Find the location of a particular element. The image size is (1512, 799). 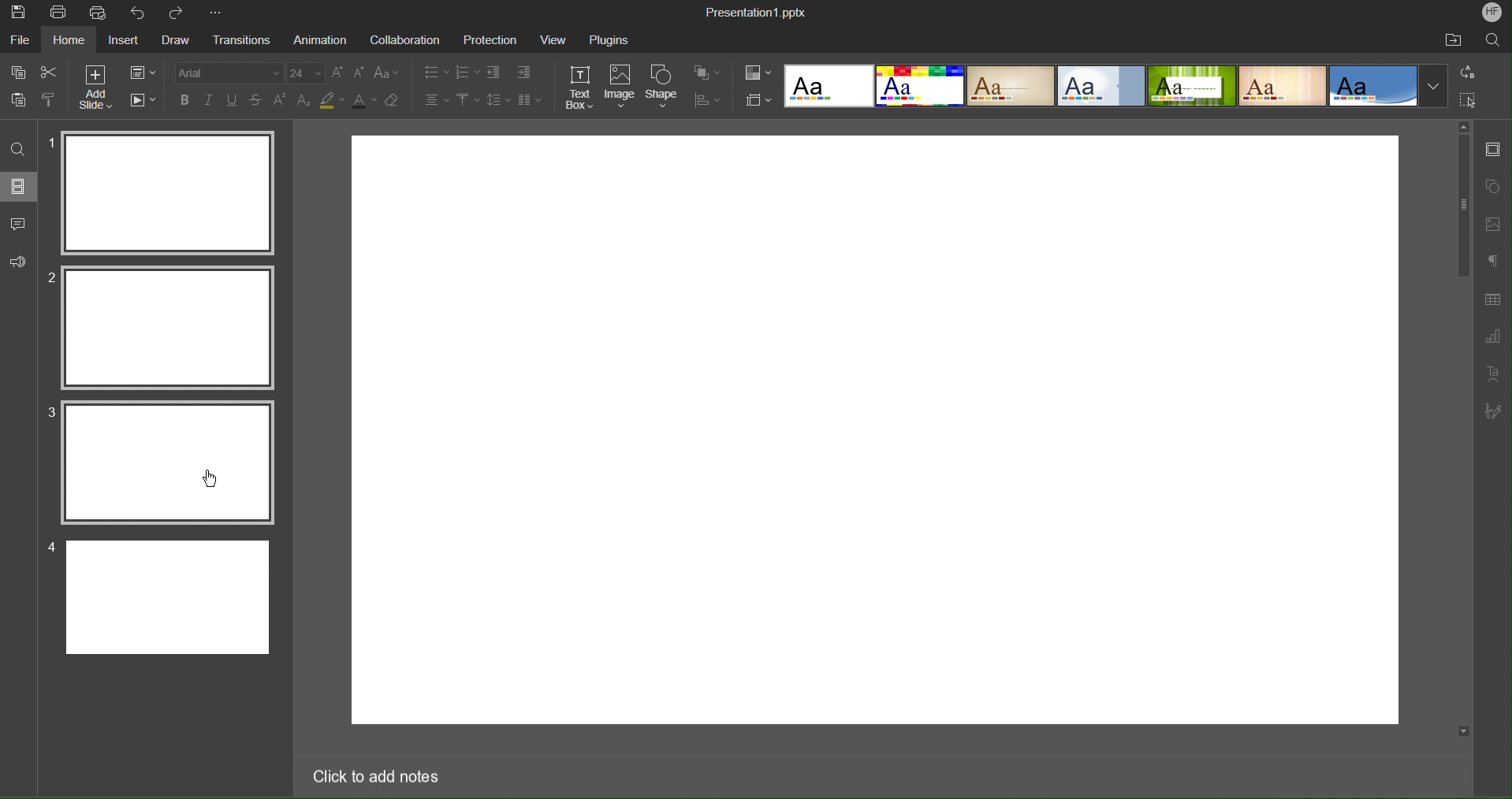

increase font size is located at coordinates (336, 72).